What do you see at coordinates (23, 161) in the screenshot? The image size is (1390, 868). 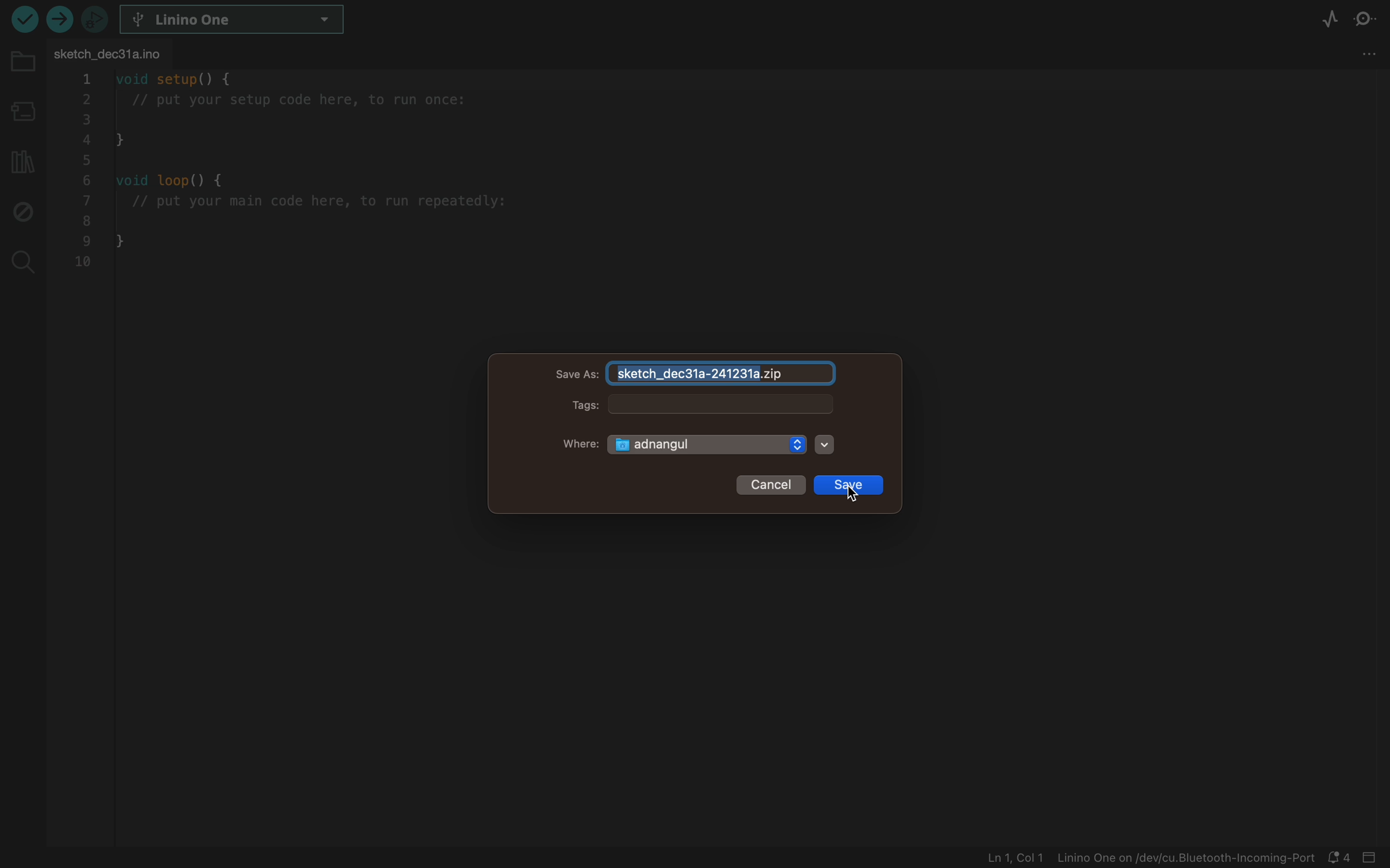 I see `library manager` at bounding box center [23, 161].